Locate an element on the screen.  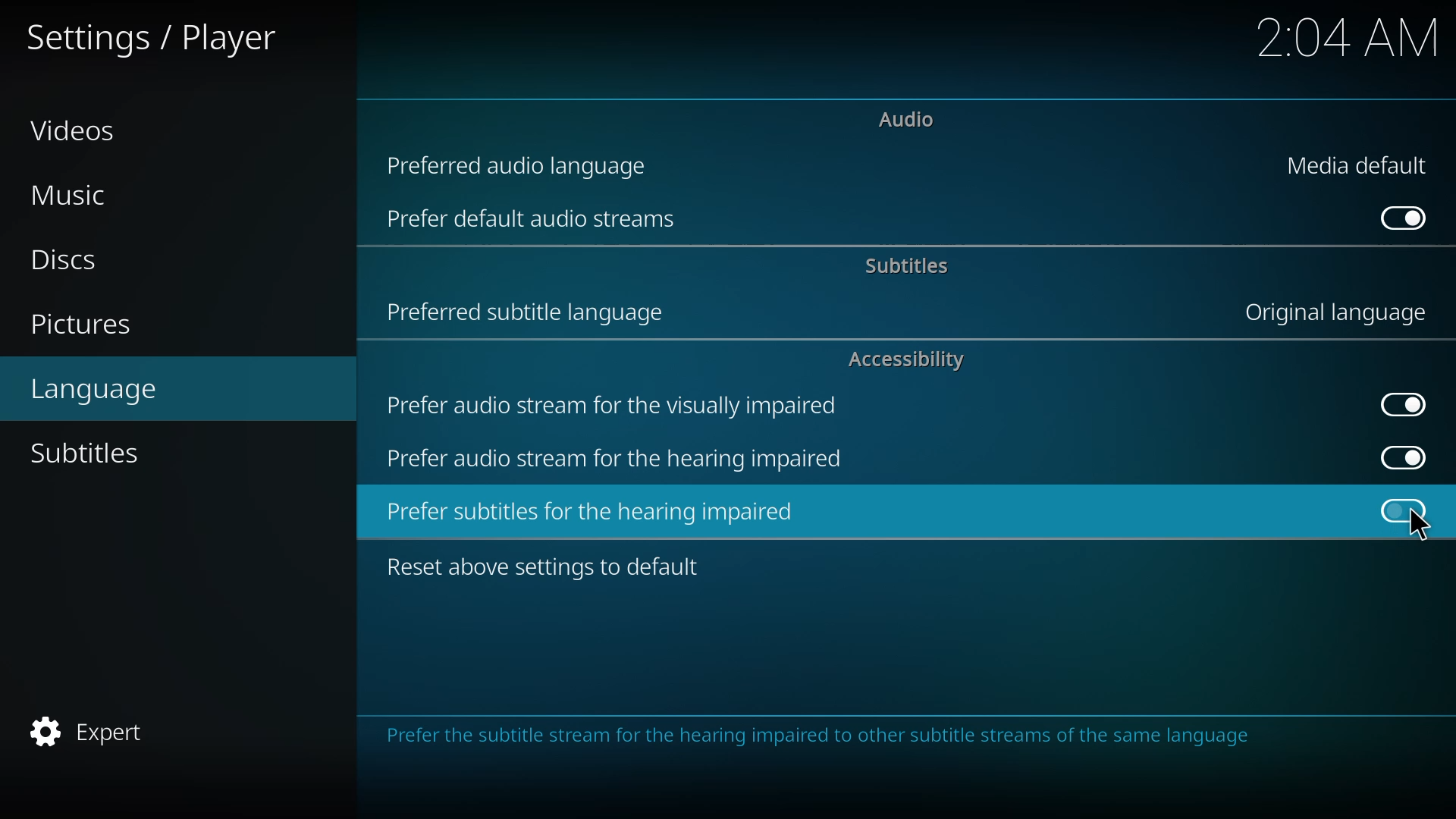
reset to default is located at coordinates (549, 566).